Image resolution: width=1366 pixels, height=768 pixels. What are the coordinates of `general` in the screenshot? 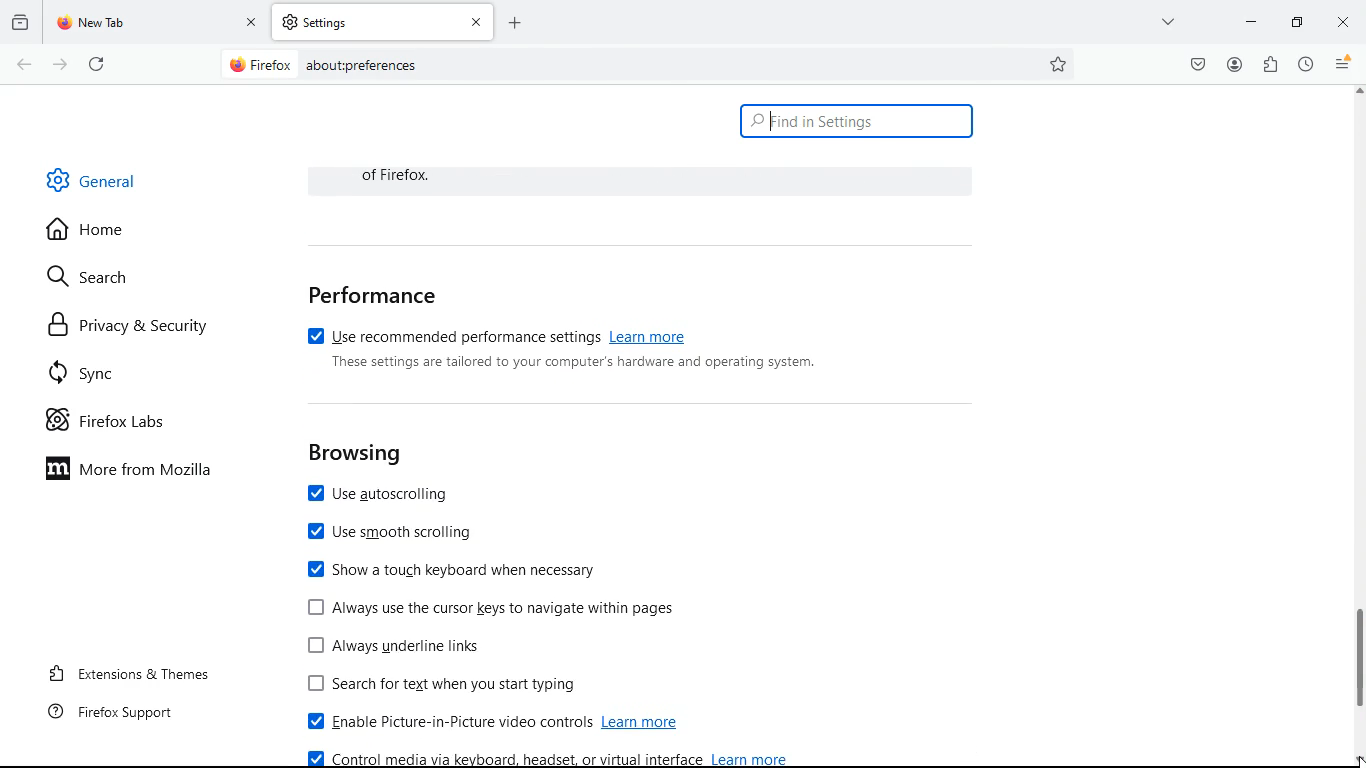 It's located at (94, 178).